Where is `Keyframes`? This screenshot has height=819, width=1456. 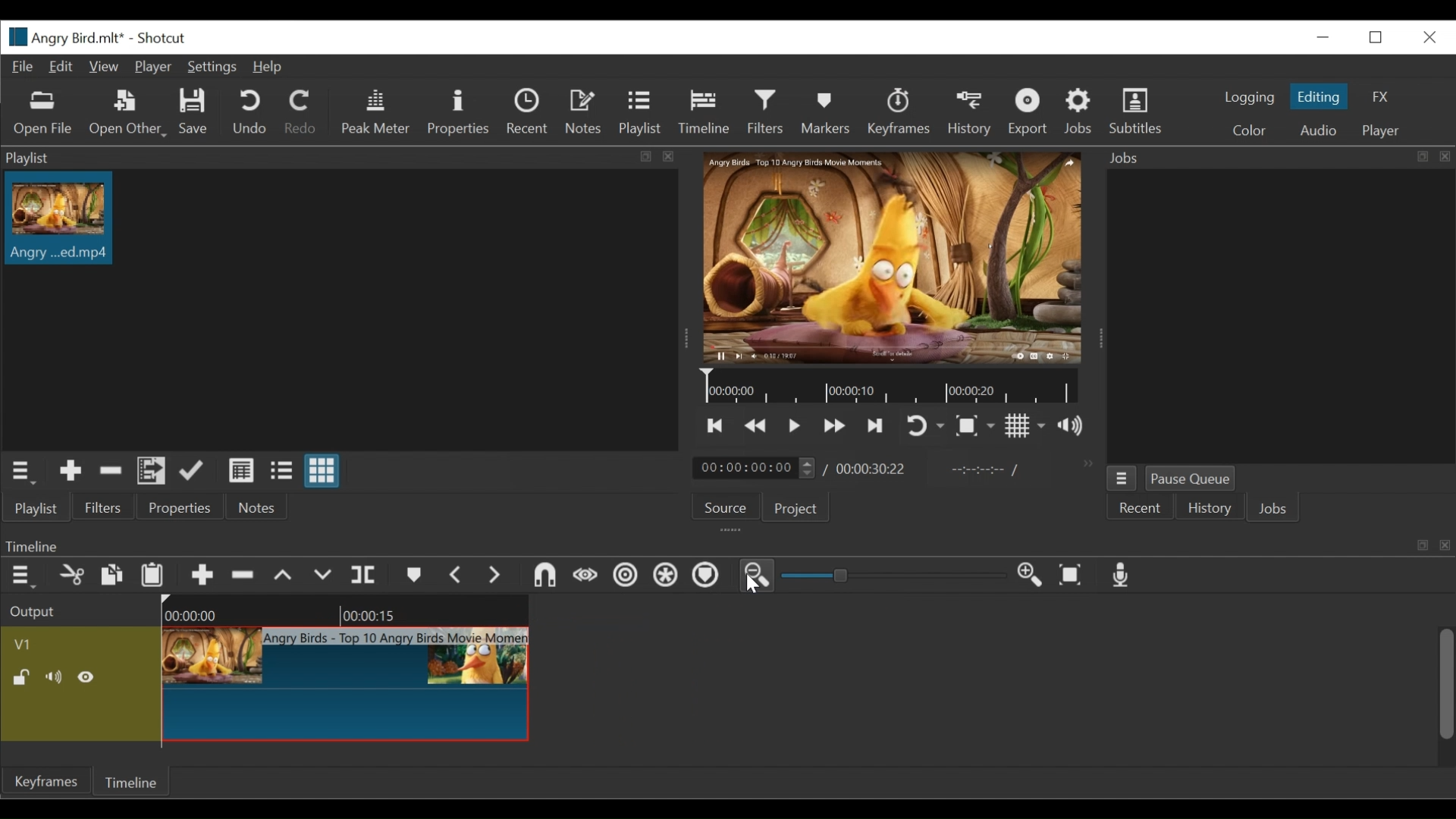
Keyframes is located at coordinates (899, 111).